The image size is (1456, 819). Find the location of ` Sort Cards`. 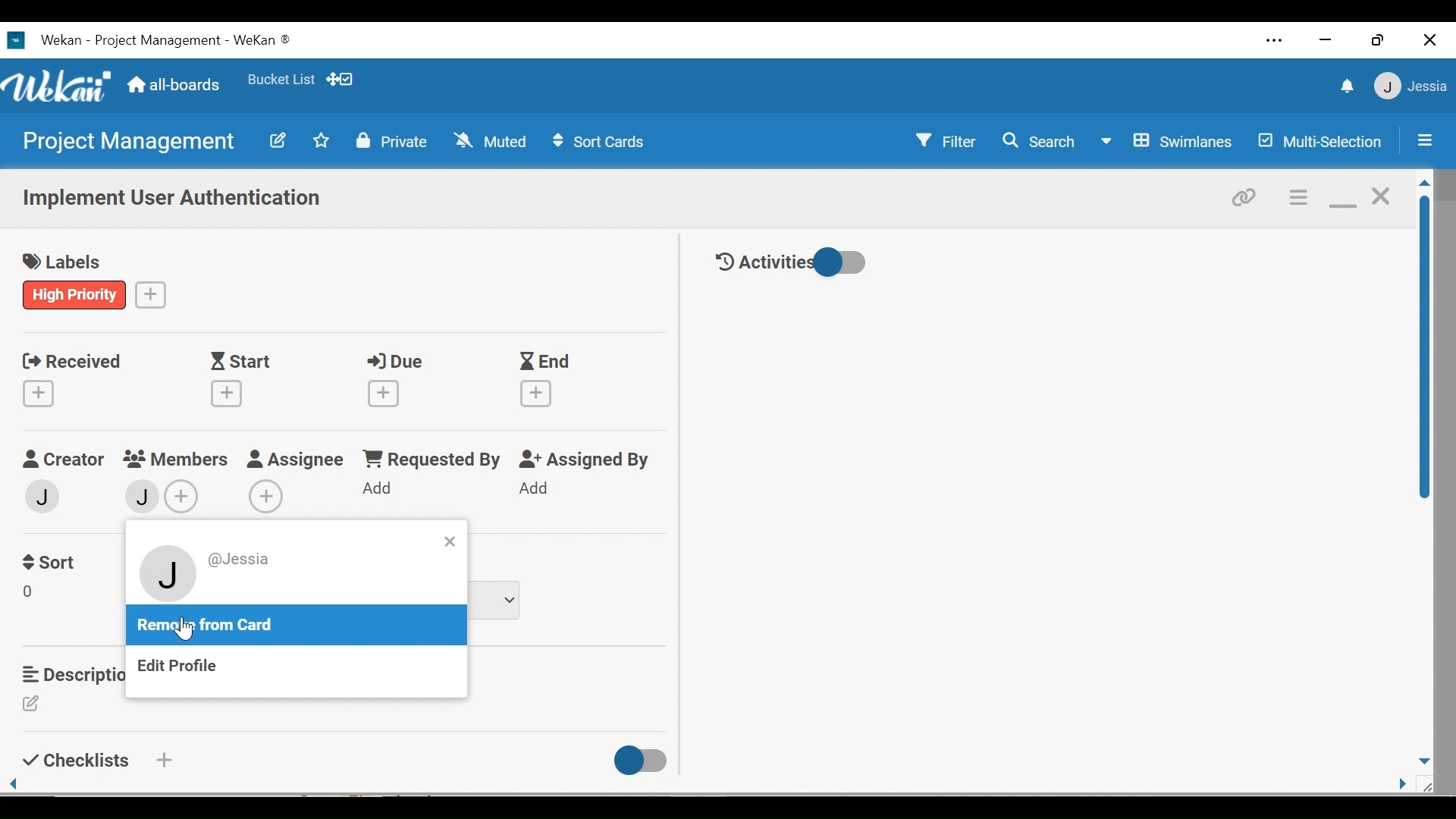

 Sort Cards is located at coordinates (601, 143).